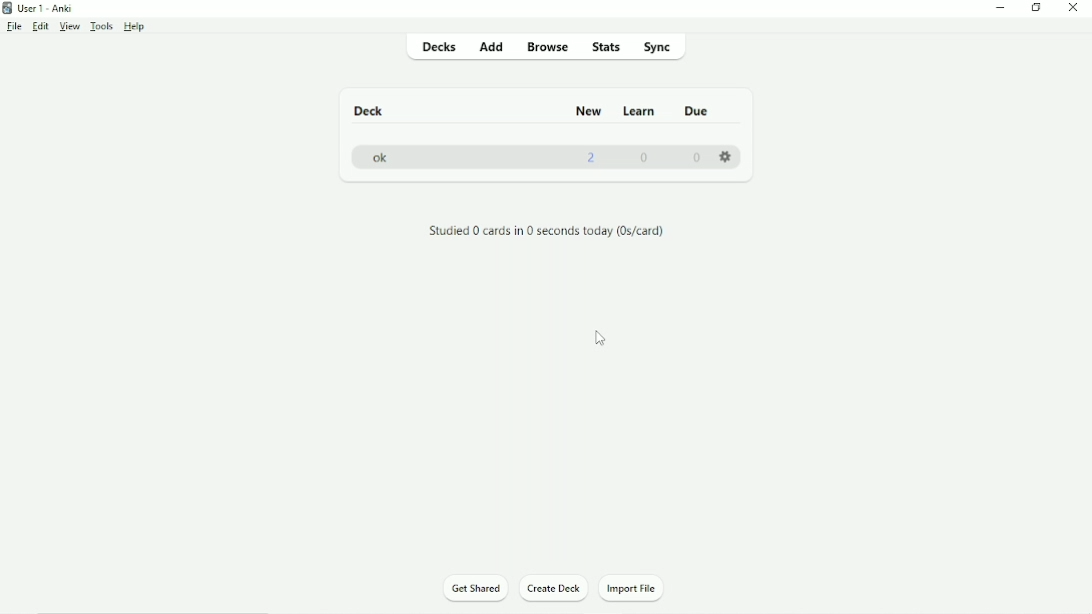 This screenshot has width=1092, height=614. Describe the element at coordinates (728, 156) in the screenshot. I see `Settings` at that location.